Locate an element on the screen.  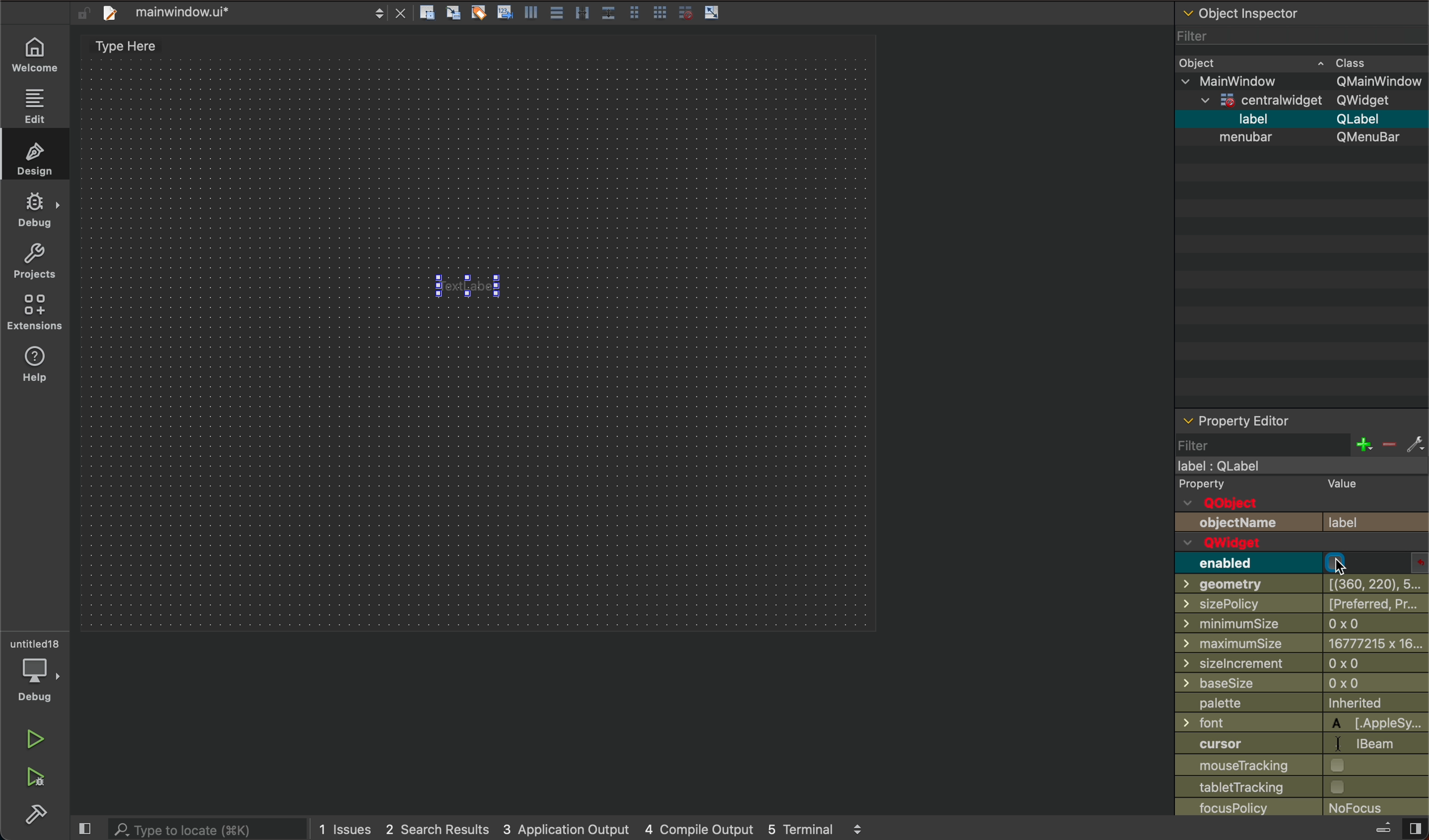
3 application output is located at coordinates (564, 826).